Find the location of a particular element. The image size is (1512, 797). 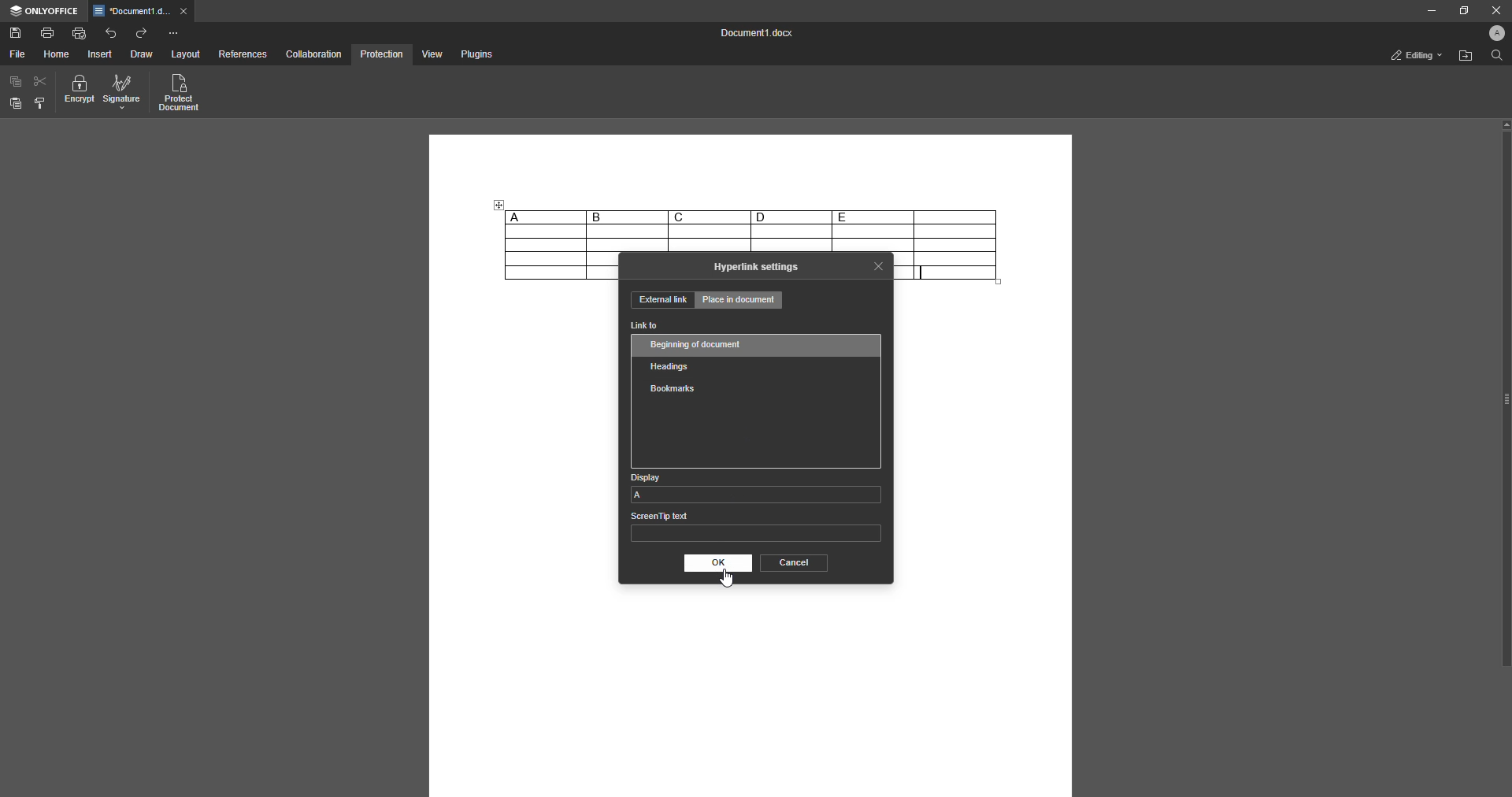

Paste is located at coordinates (16, 104).